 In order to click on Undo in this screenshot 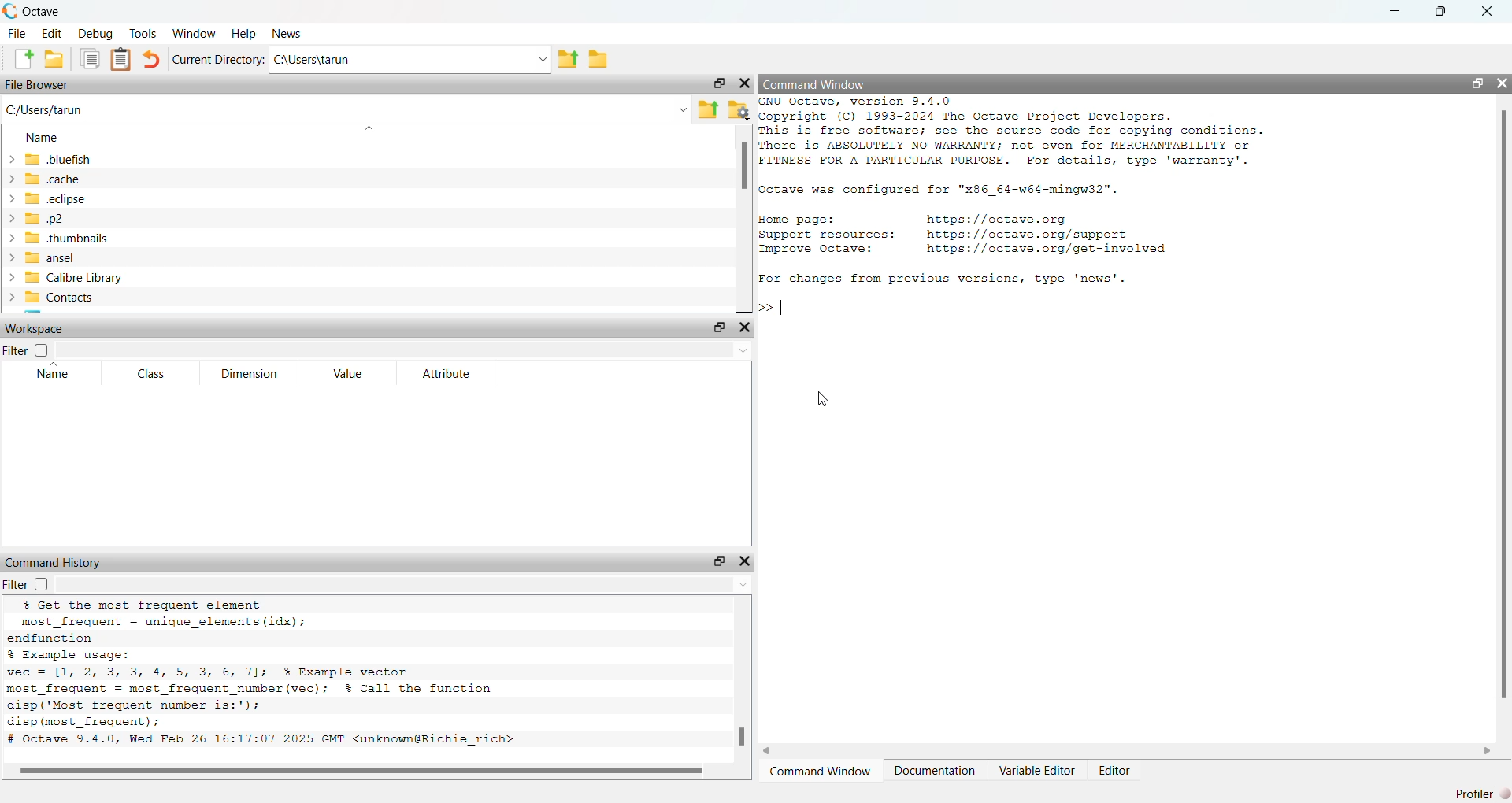, I will do `click(152, 58)`.